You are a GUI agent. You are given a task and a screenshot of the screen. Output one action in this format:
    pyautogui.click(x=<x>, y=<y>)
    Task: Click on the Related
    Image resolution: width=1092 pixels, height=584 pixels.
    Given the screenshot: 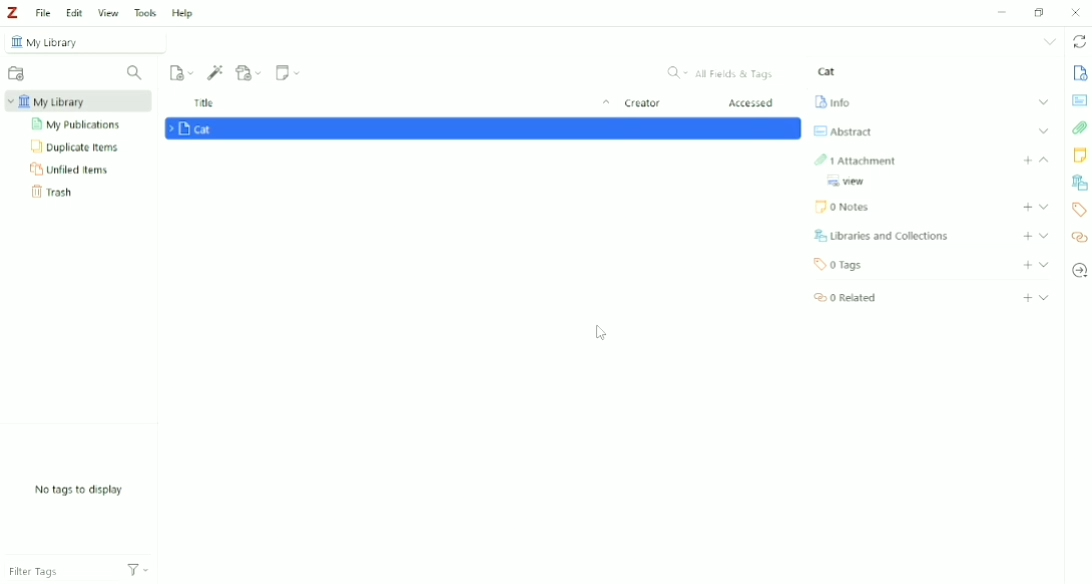 What is the action you would take?
    pyautogui.click(x=1079, y=238)
    